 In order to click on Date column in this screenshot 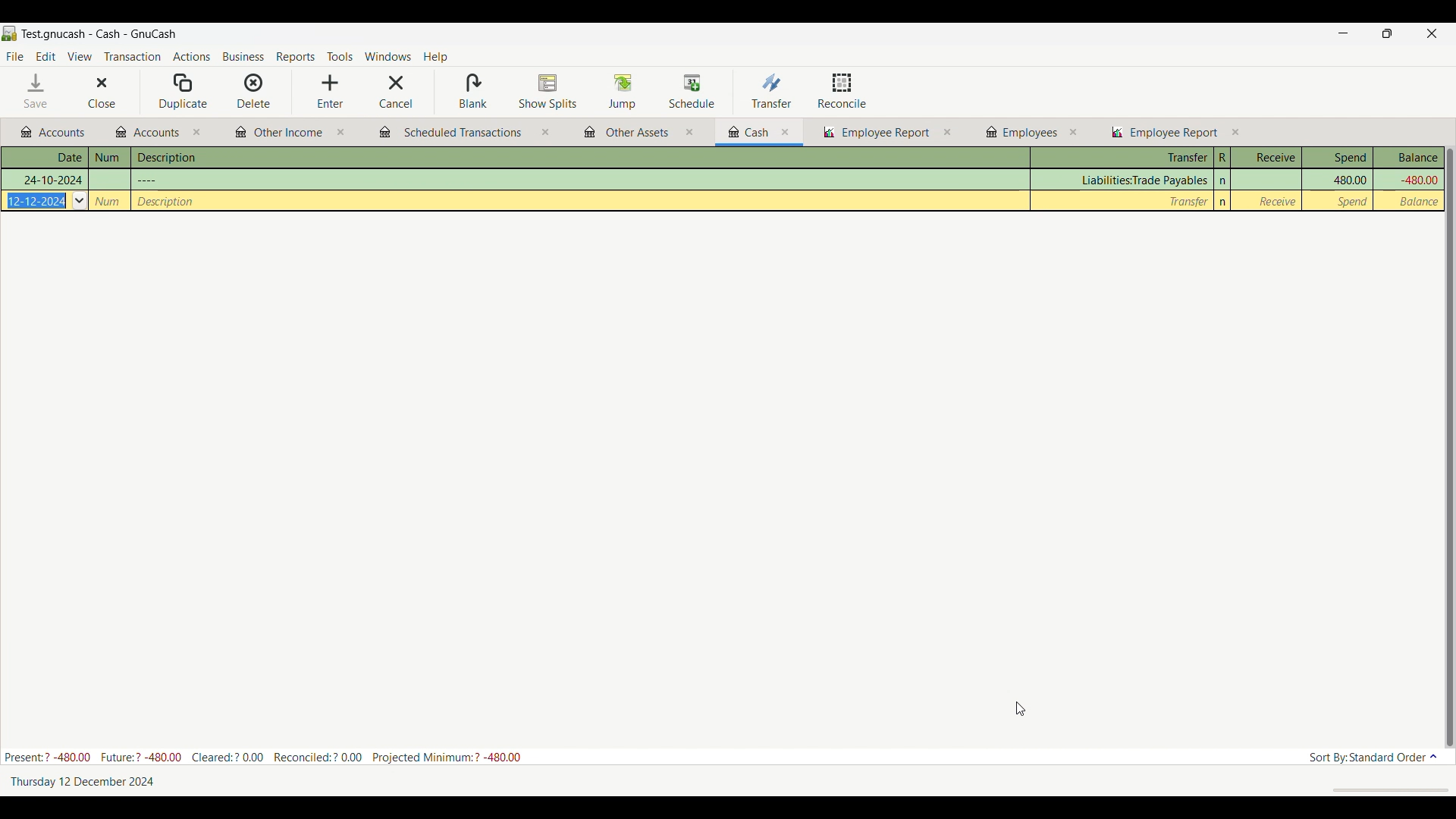, I will do `click(45, 158)`.